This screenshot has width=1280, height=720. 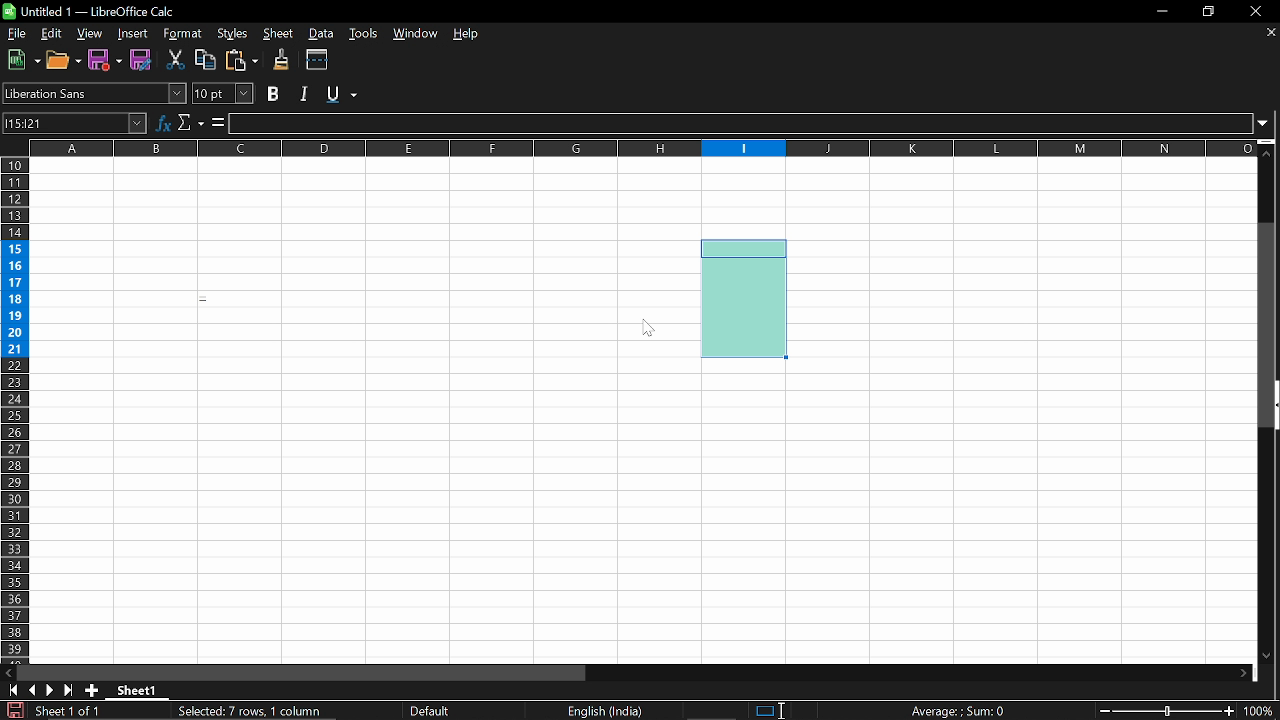 What do you see at coordinates (432, 710) in the screenshot?
I see `page layout` at bounding box center [432, 710].